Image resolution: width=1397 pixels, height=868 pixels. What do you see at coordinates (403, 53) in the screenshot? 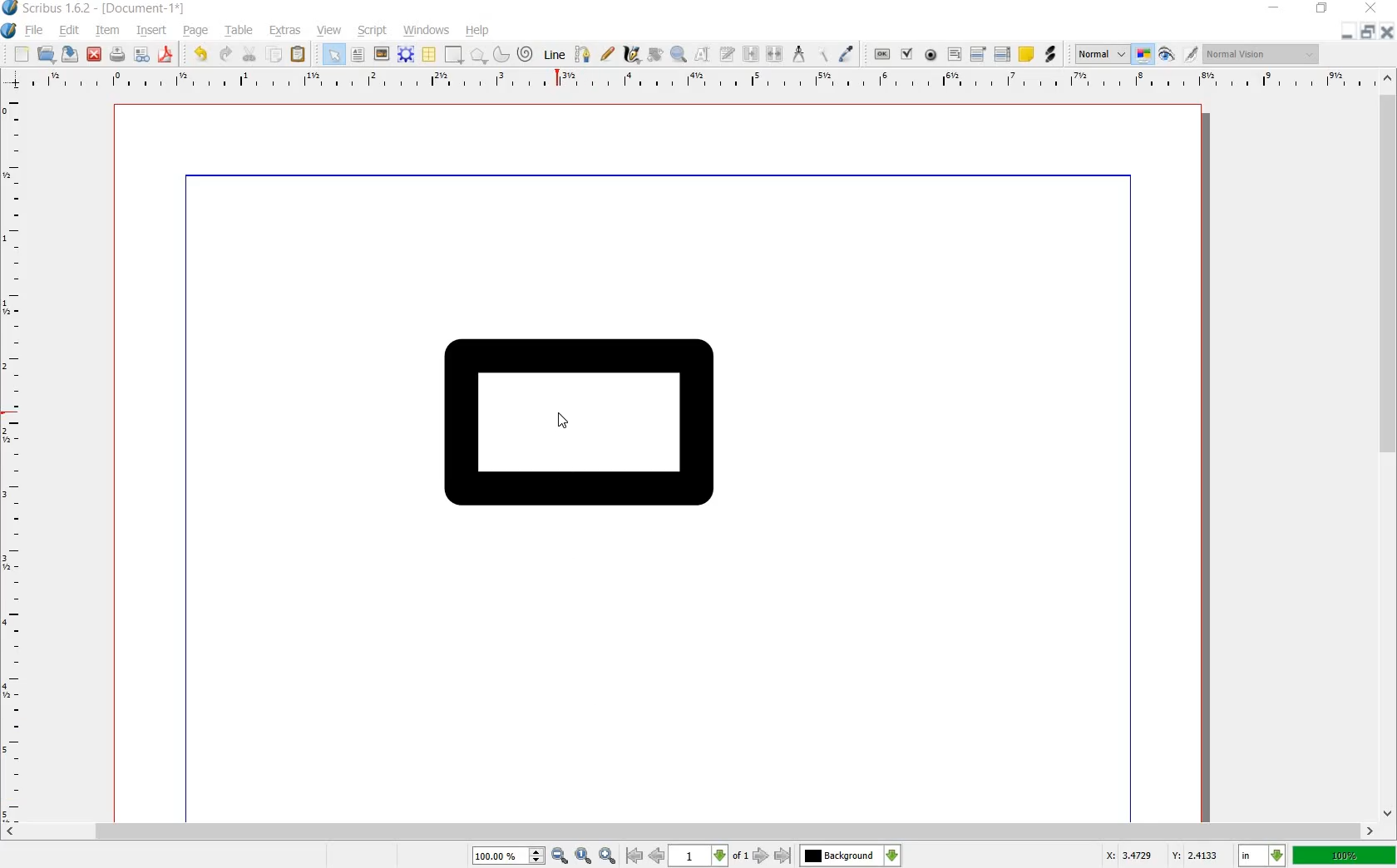
I see `render frame` at bounding box center [403, 53].